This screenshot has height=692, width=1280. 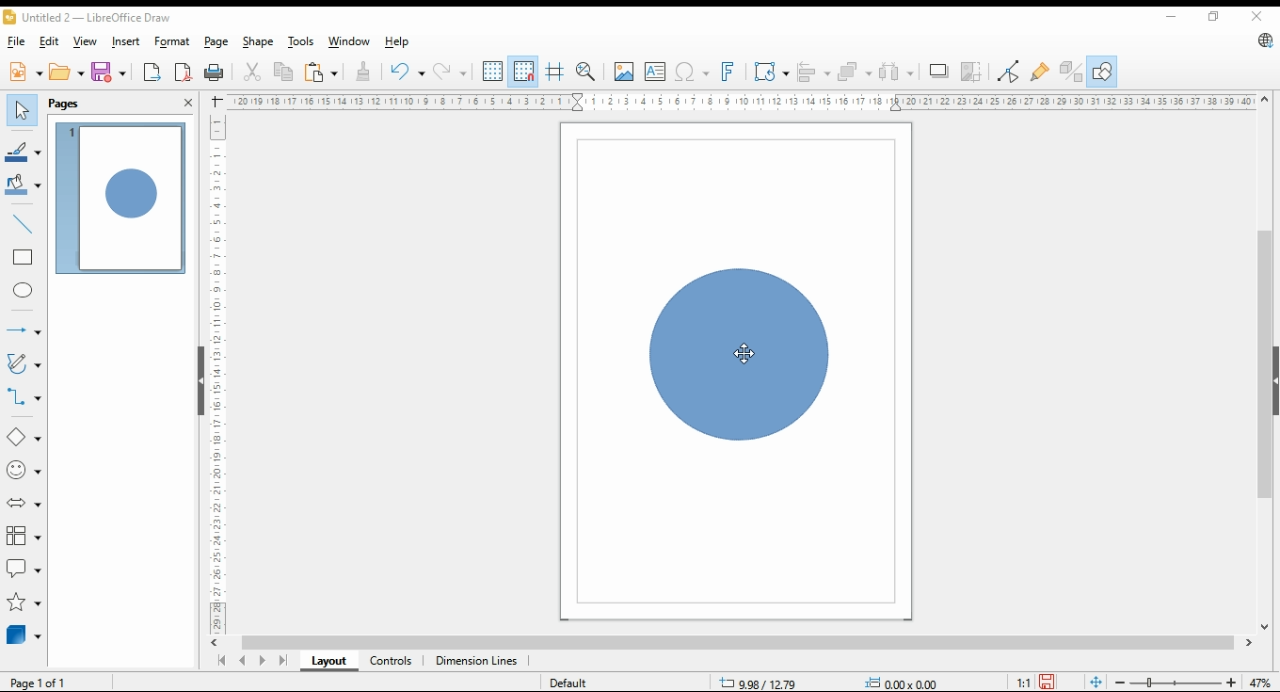 What do you see at coordinates (216, 73) in the screenshot?
I see `print` at bounding box center [216, 73].